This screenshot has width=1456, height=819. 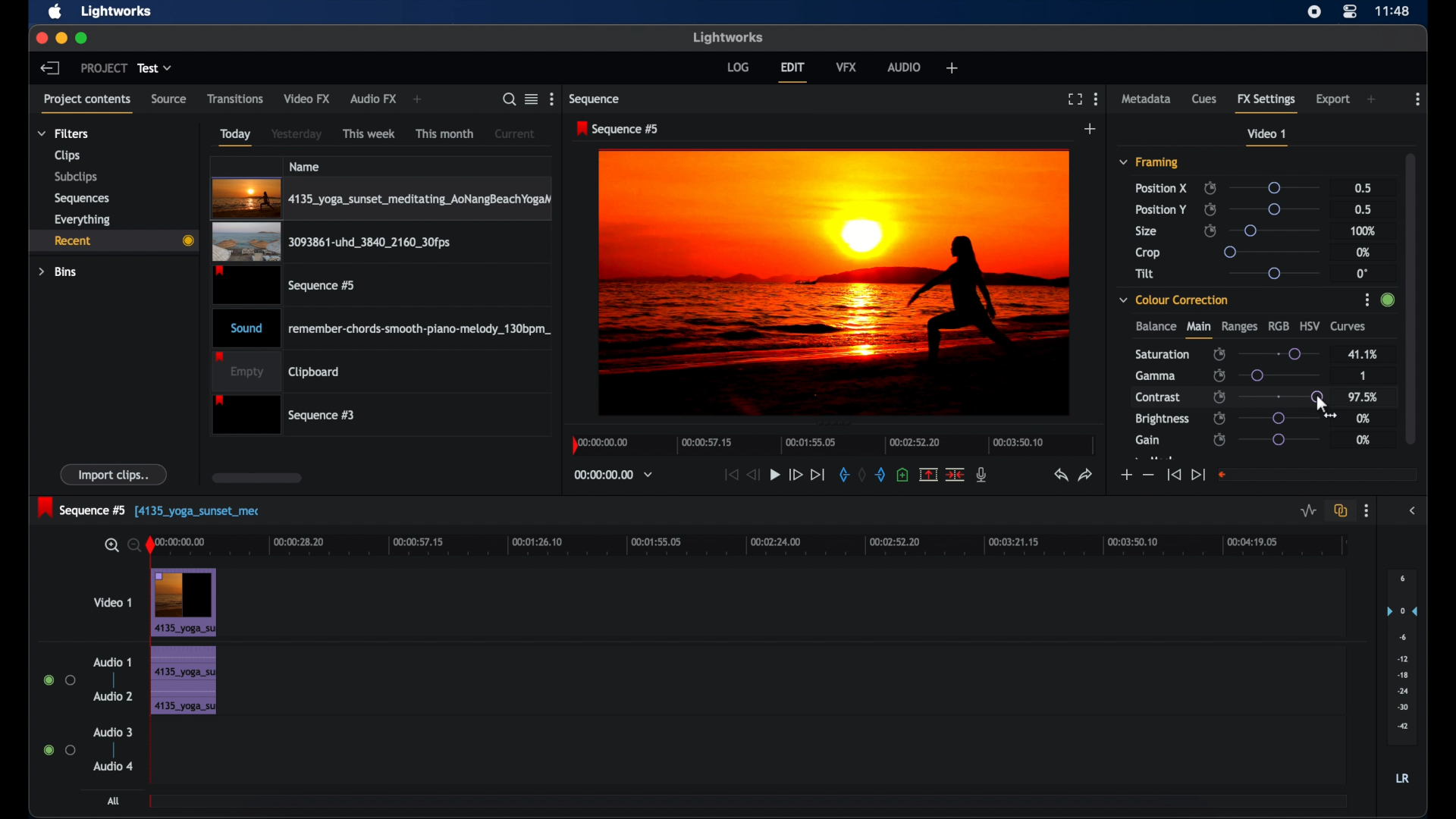 I want to click on More Options, so click(x=1369, y=301).